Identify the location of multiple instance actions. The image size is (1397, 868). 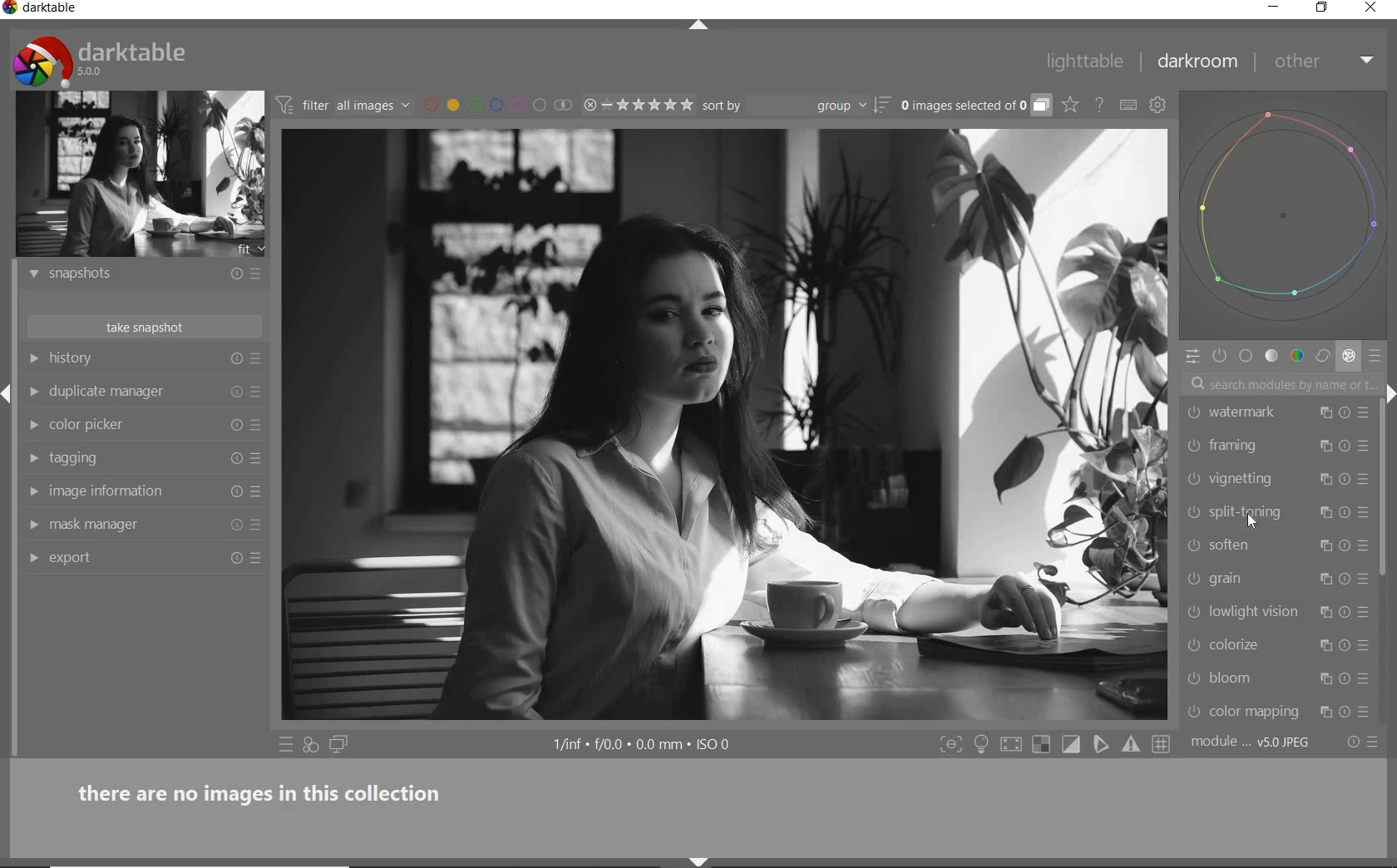
(1324, 678).